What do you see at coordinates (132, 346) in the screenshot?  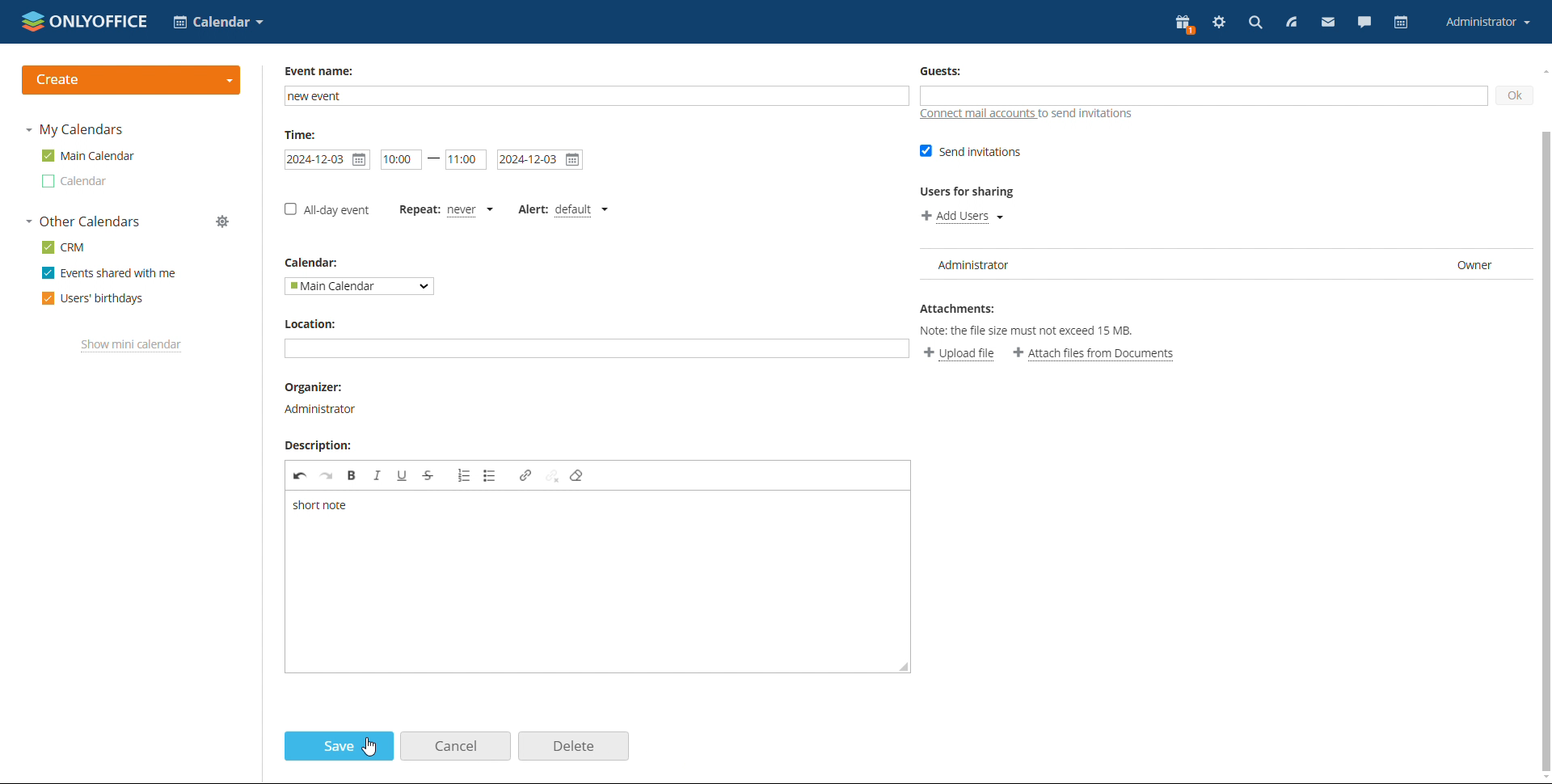 I see `show mini calendar` at bounding box center [132, 346].